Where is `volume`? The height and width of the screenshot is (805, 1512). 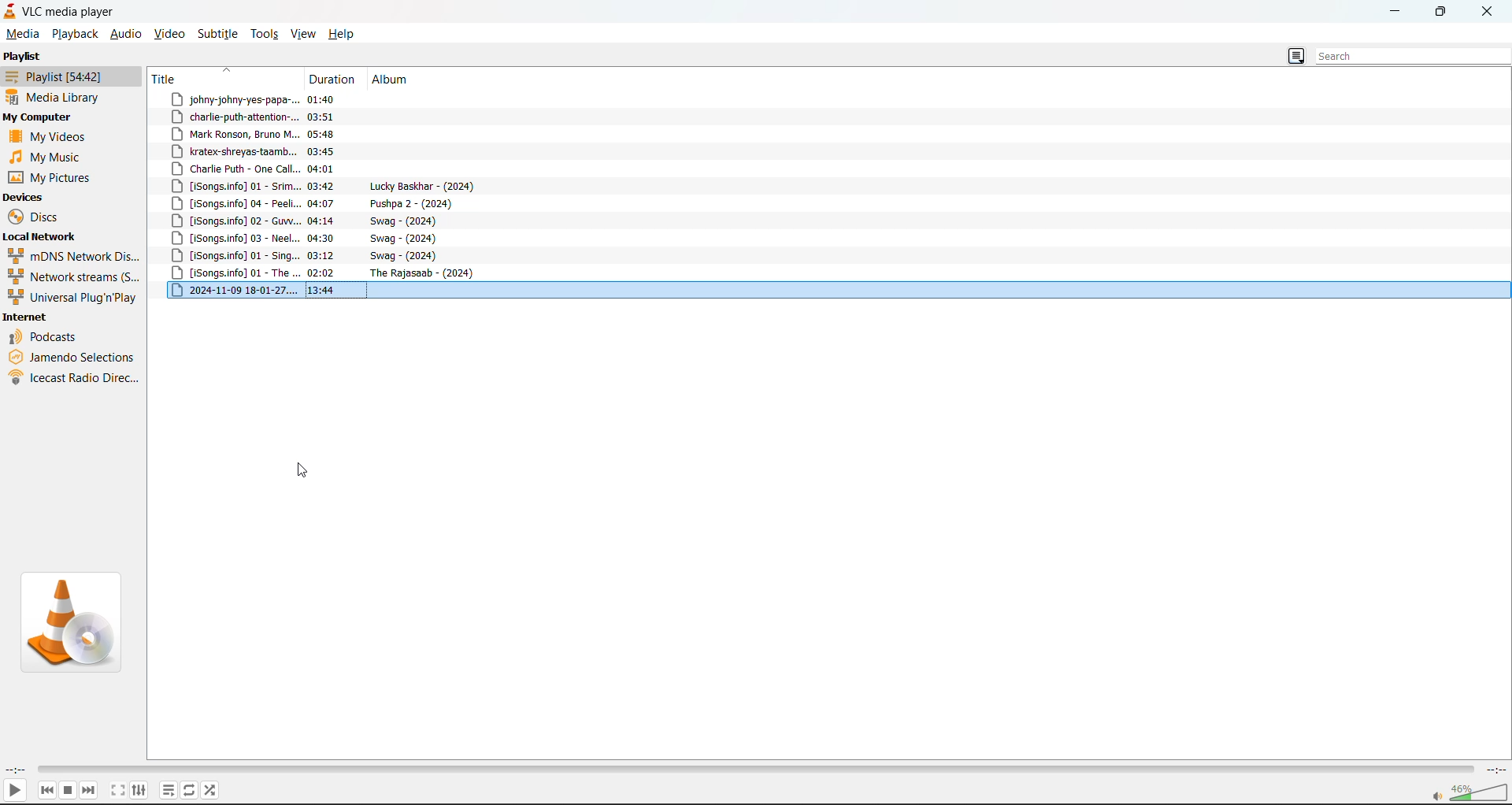
volume is located at coordinates (1473, 793).